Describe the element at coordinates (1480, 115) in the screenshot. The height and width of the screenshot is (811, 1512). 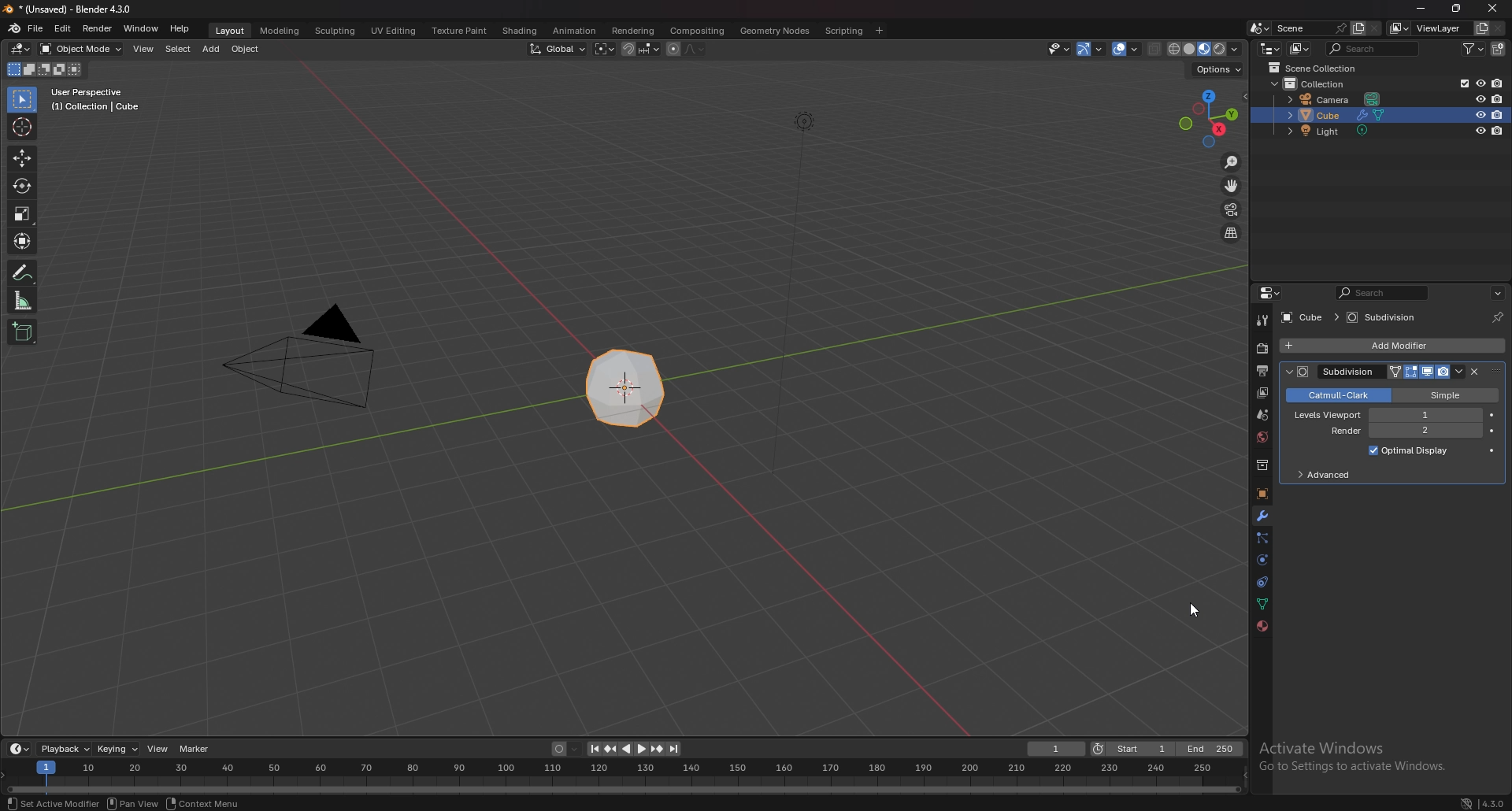
I see `hide in viewport` at that location.